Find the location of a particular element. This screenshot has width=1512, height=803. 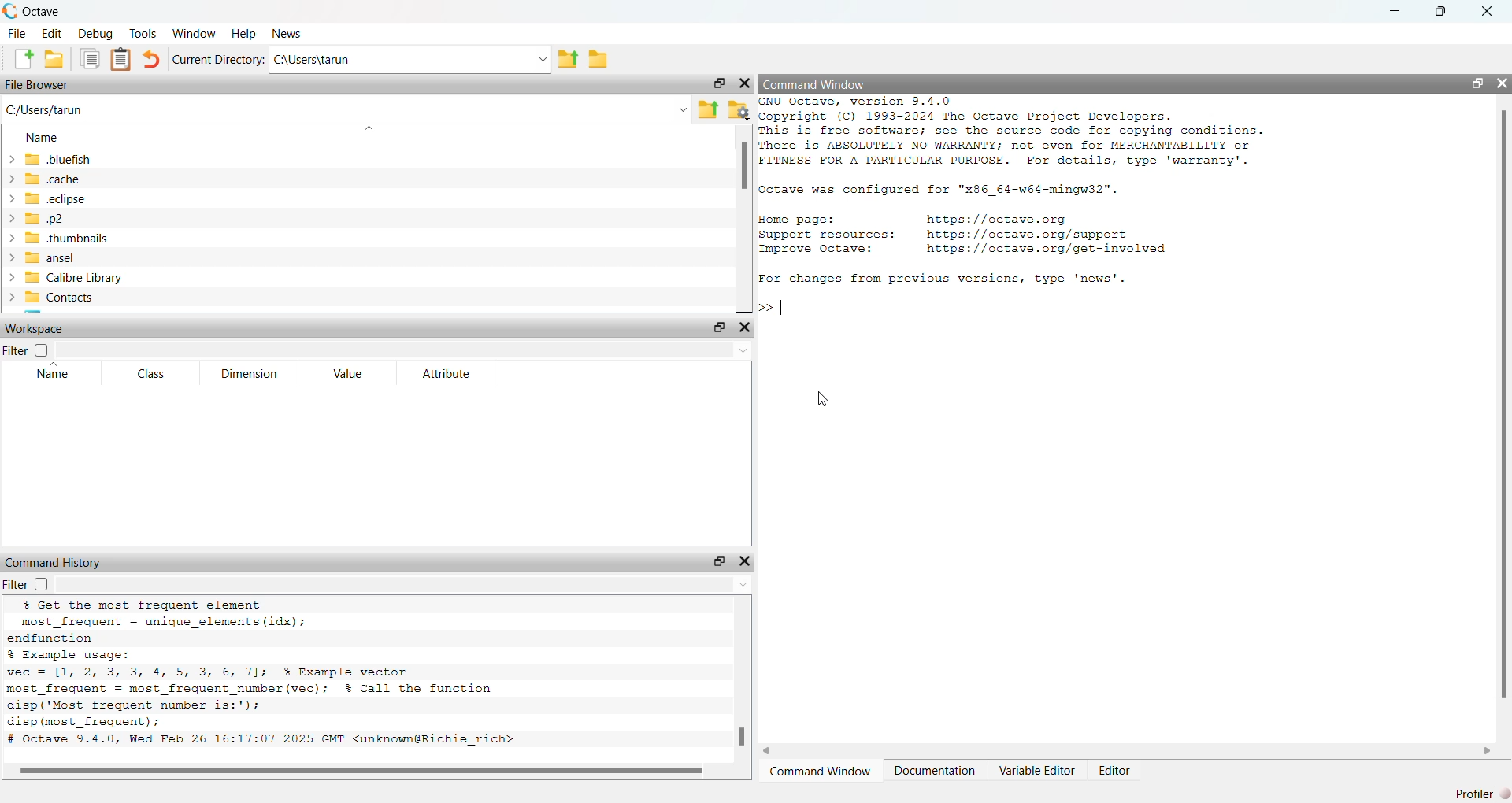

Paste is located at coordinates (120, 60).